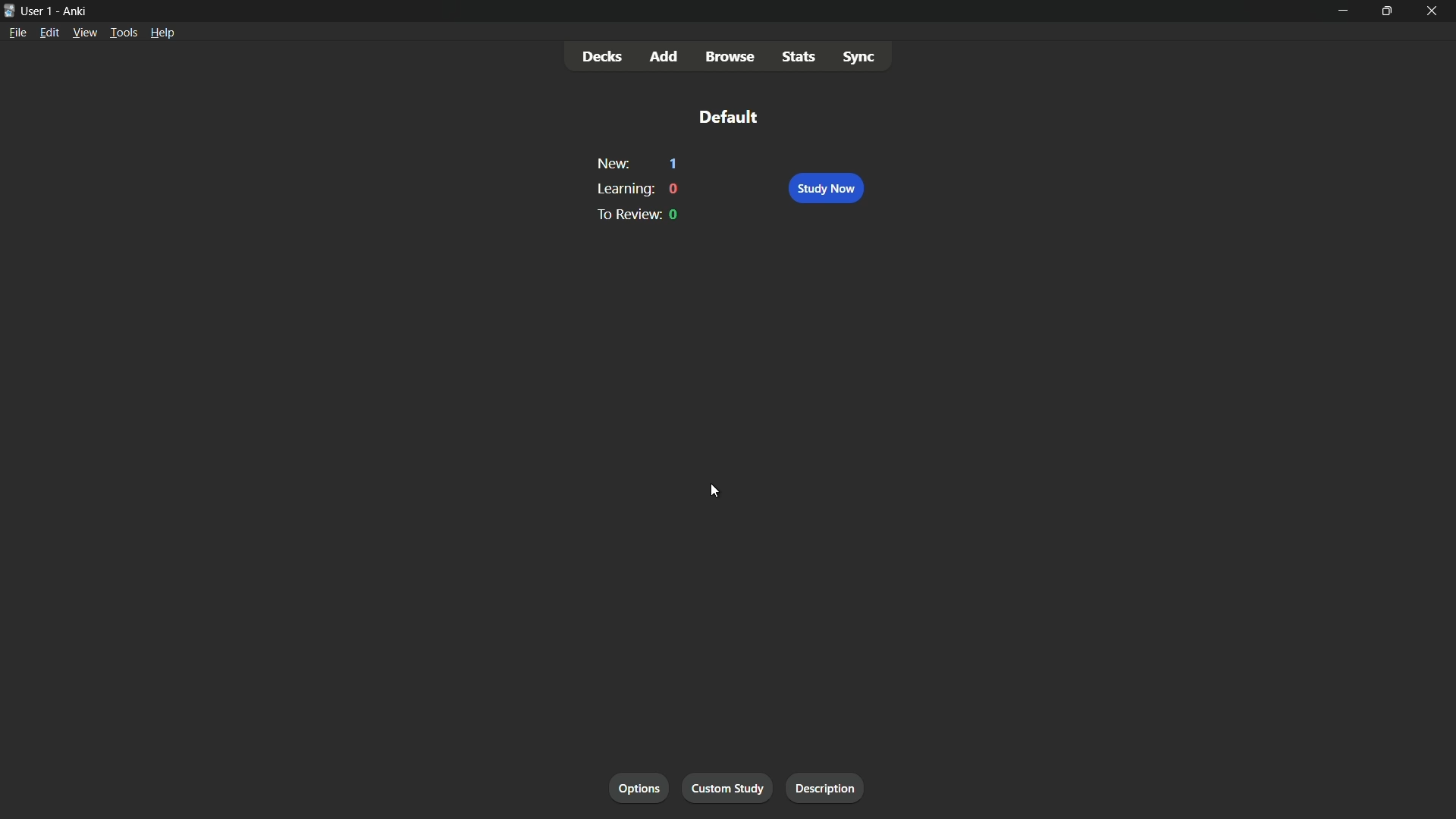  I want to click on learning, so click(628, 189).